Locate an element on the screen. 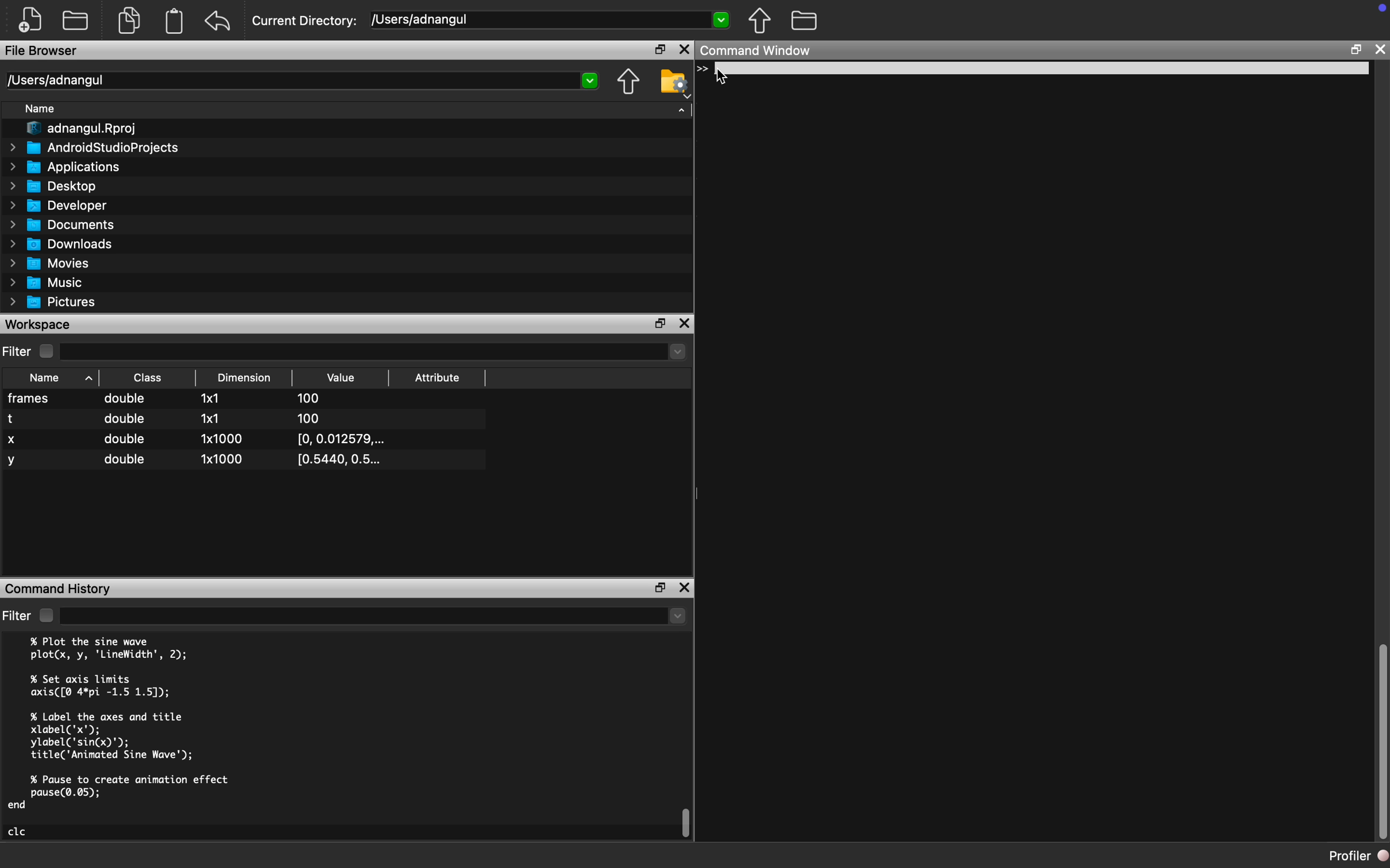 The height and width of the screenshot is (868, 1390). Close is located at coordinates (686, 588).